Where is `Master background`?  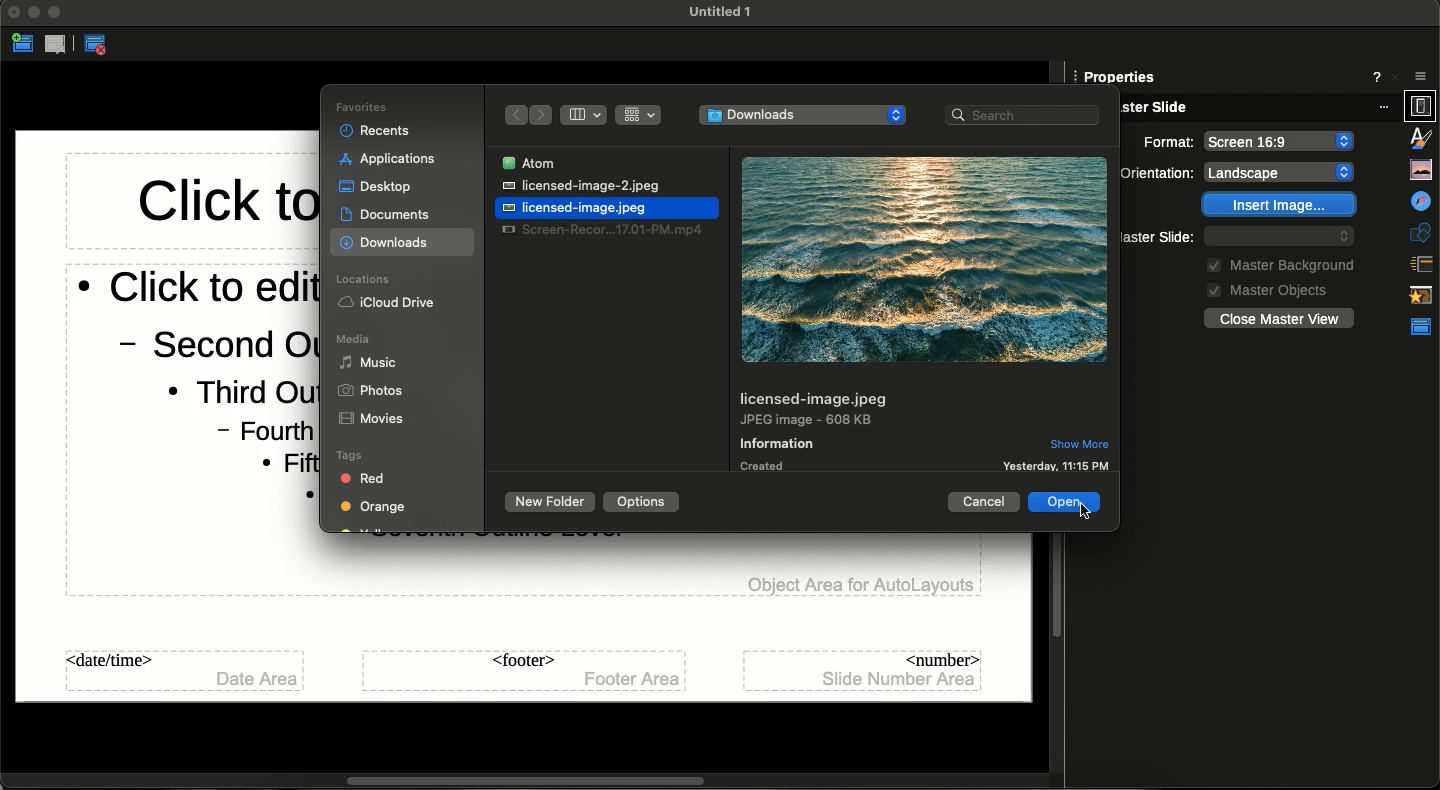 Master background is located at coordinates (1276, 263).